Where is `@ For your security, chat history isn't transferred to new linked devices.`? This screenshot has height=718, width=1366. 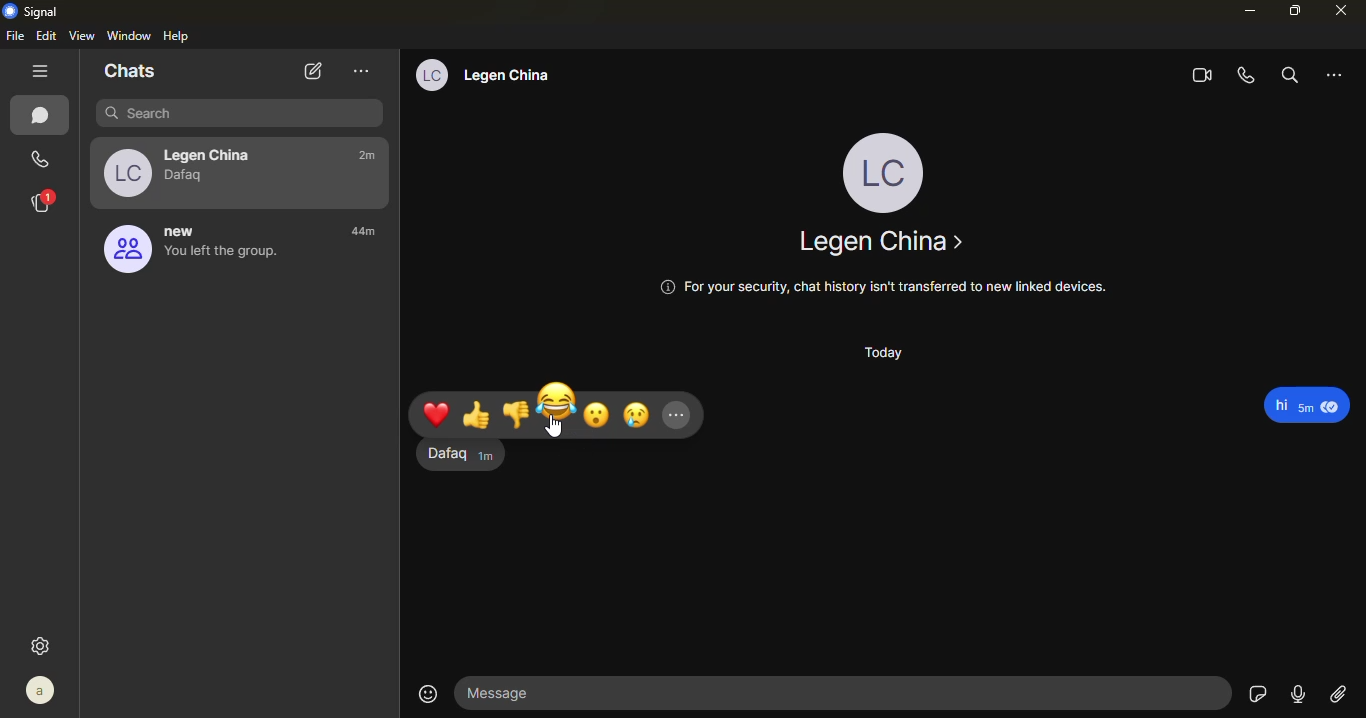 @ For your security, chat history isn't transferred to new linked devices. is located at coordinates (880, 286).